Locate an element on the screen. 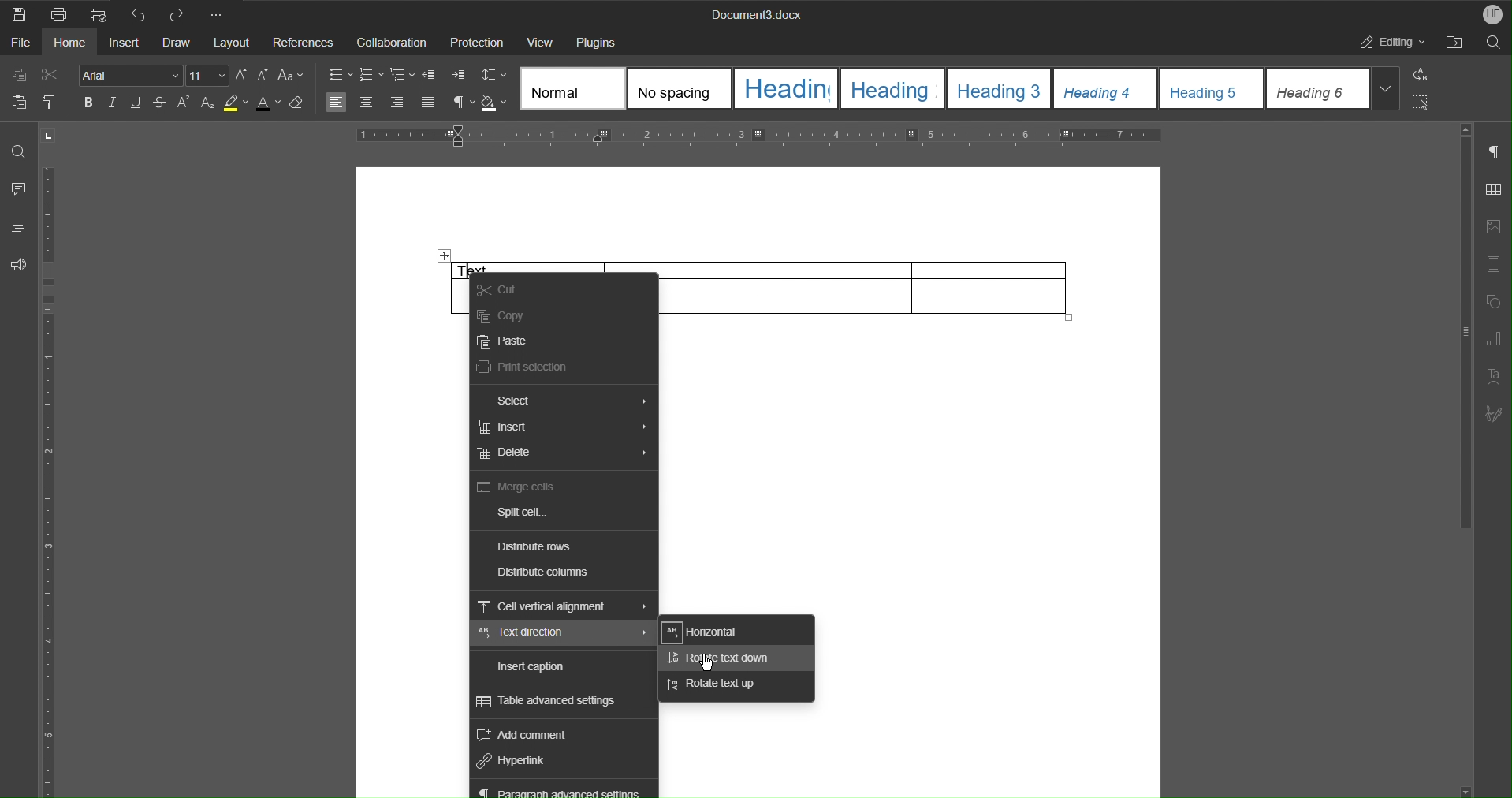 This screenshot has width=1512, height=798. Alignments is located at coordinates (382, 103).